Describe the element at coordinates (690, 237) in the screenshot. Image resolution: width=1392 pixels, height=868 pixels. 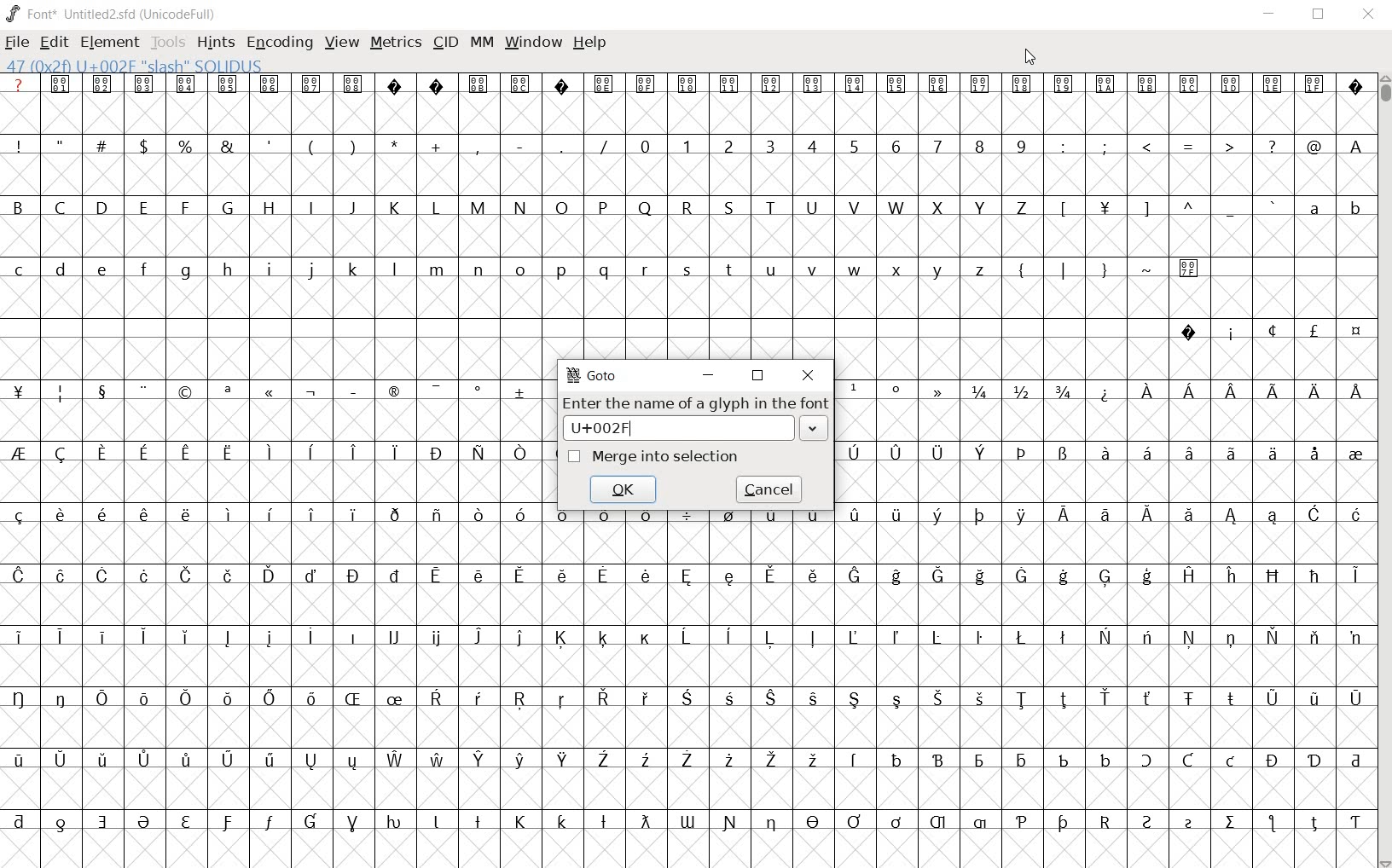
I see `empty cells` at that location.